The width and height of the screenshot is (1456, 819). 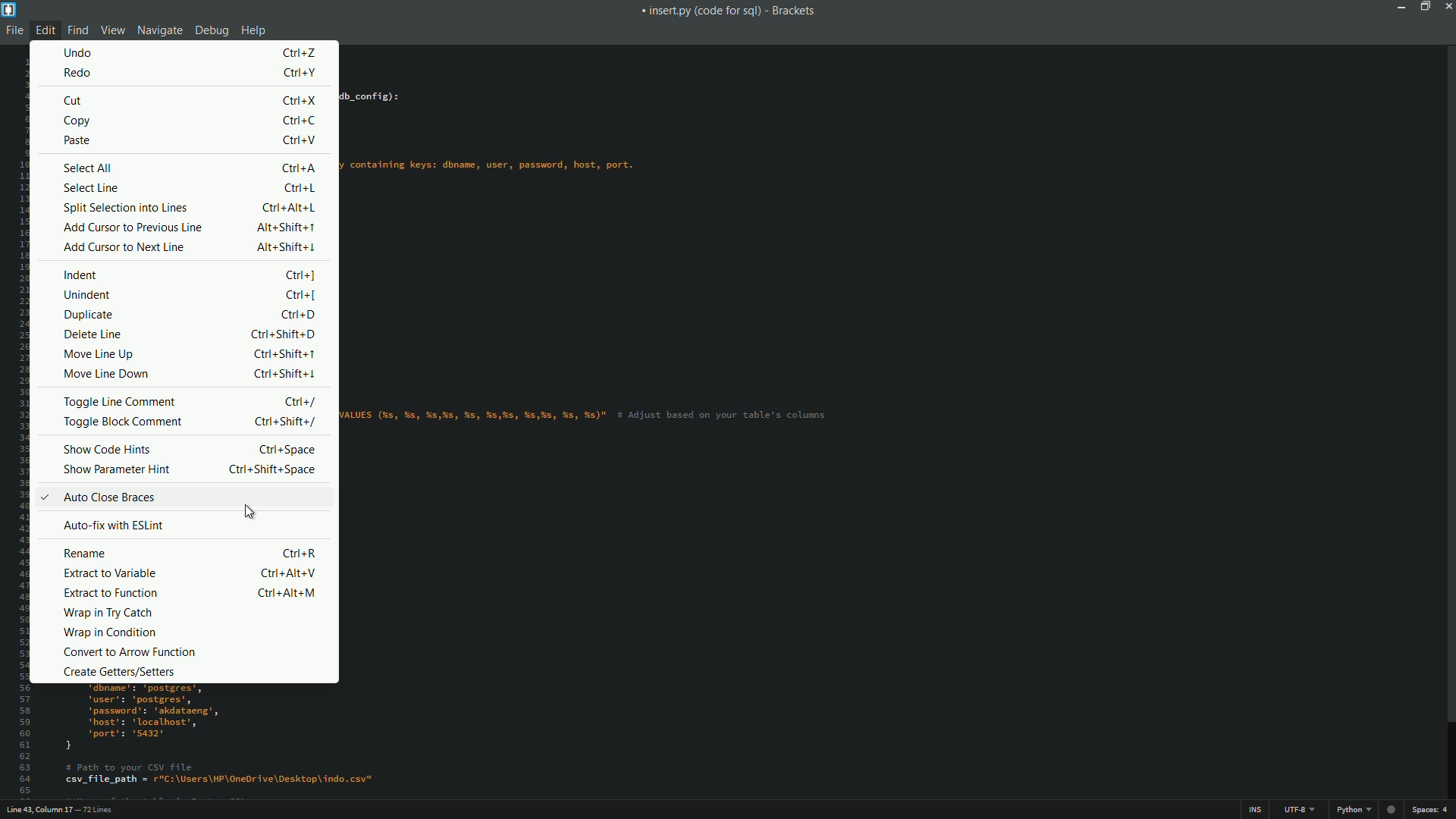 What do you see at coordinates (284, 421) in the screenshot?
I see `keyboard shortcut` at bounding box center [284, 421].